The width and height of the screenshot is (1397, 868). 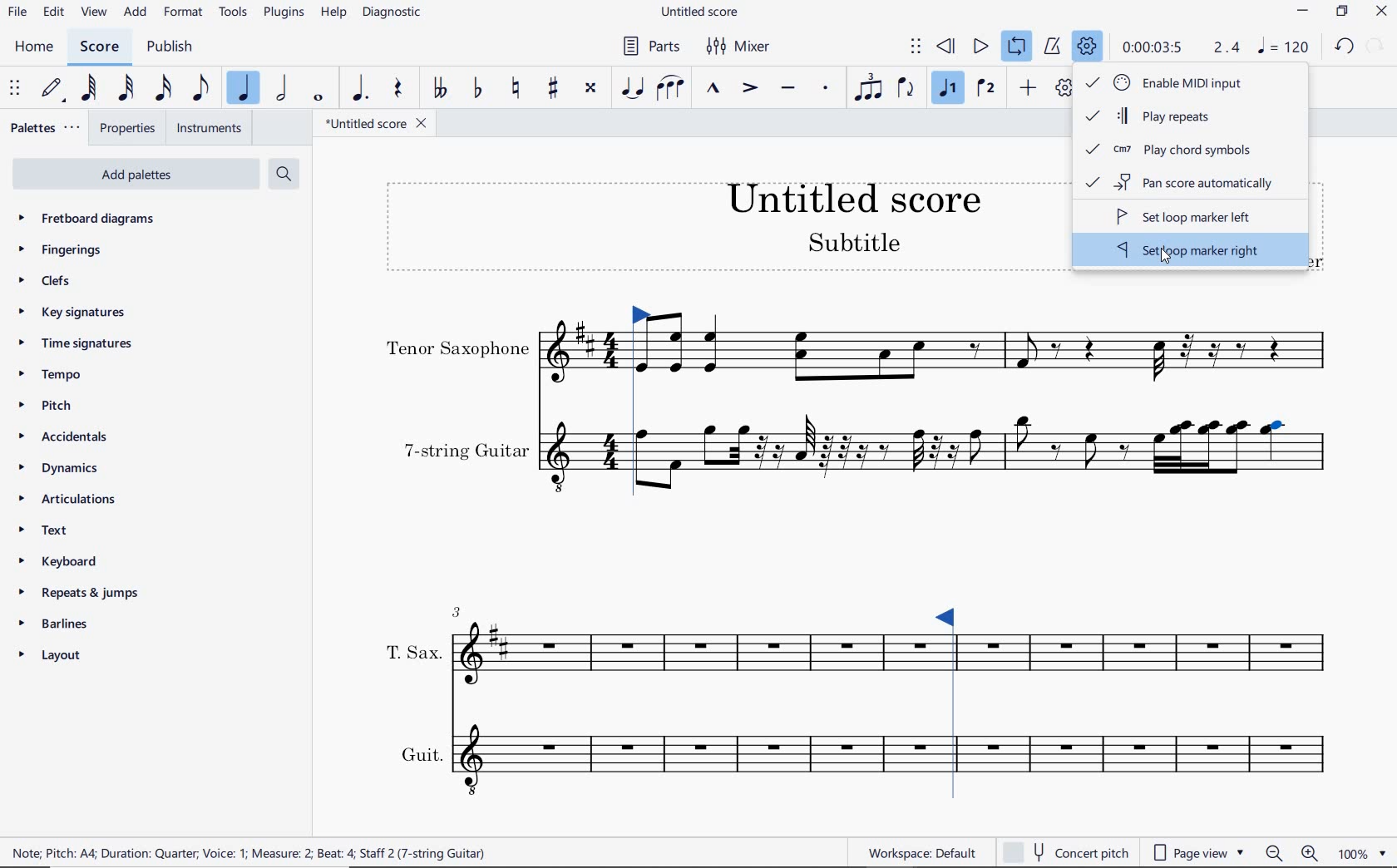 What do you see at coordinates (1284, 47) in the screenshot?
I see `NOTE` at bounding box center [1284, 47].